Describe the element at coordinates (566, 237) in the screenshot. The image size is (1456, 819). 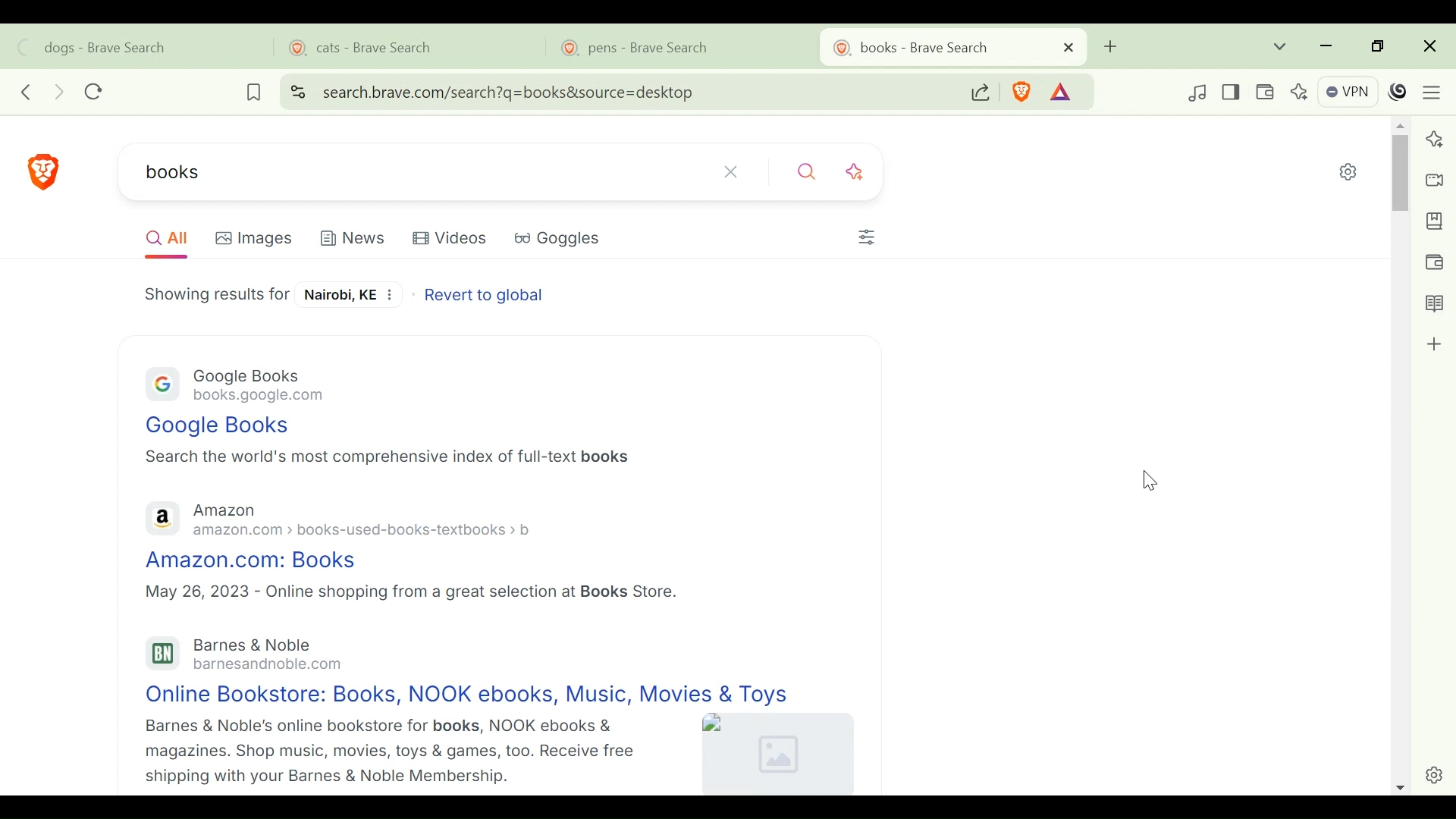
I see `Goggles` at that location.